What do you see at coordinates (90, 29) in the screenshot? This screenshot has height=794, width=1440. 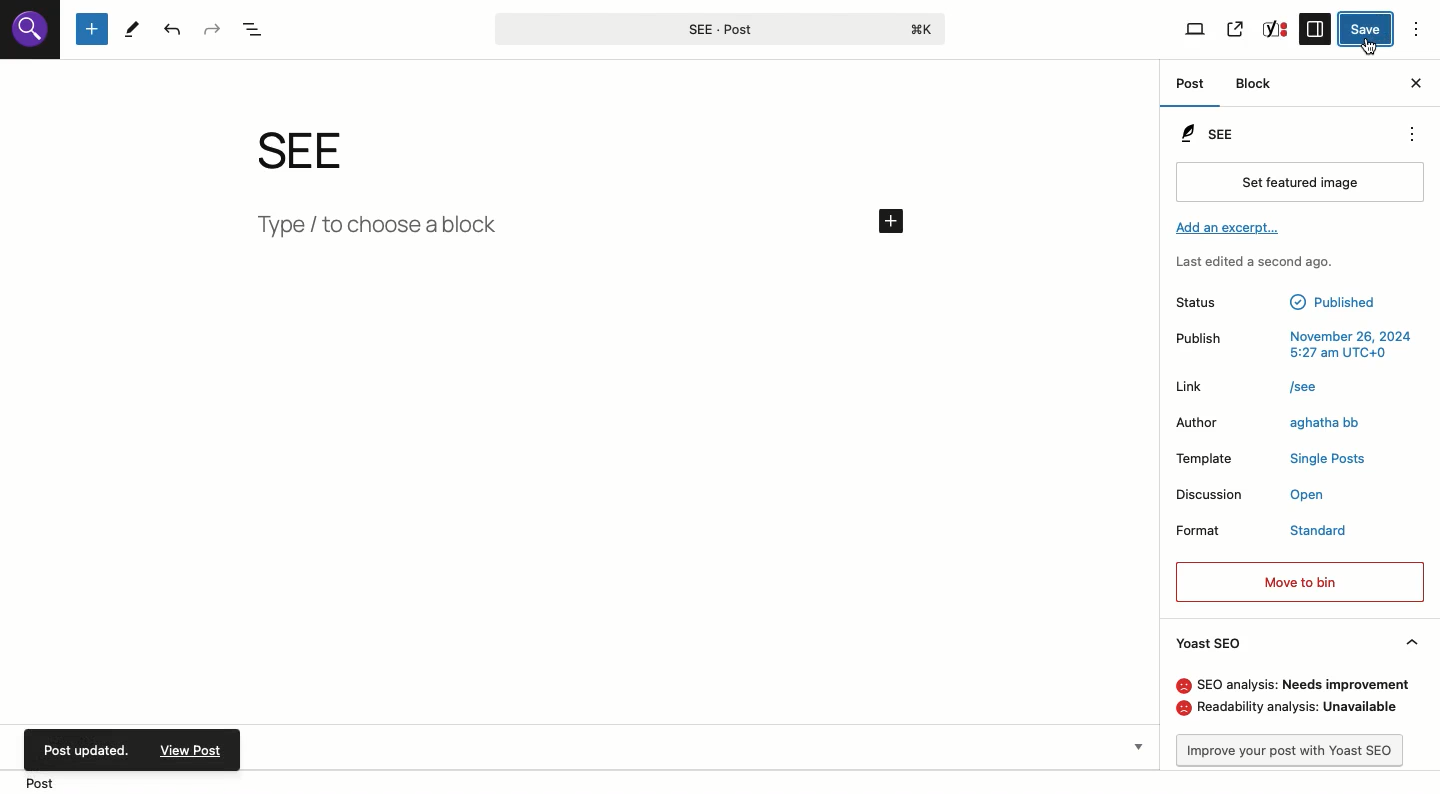 I see `Add new block` at bounding box center [90, 29].